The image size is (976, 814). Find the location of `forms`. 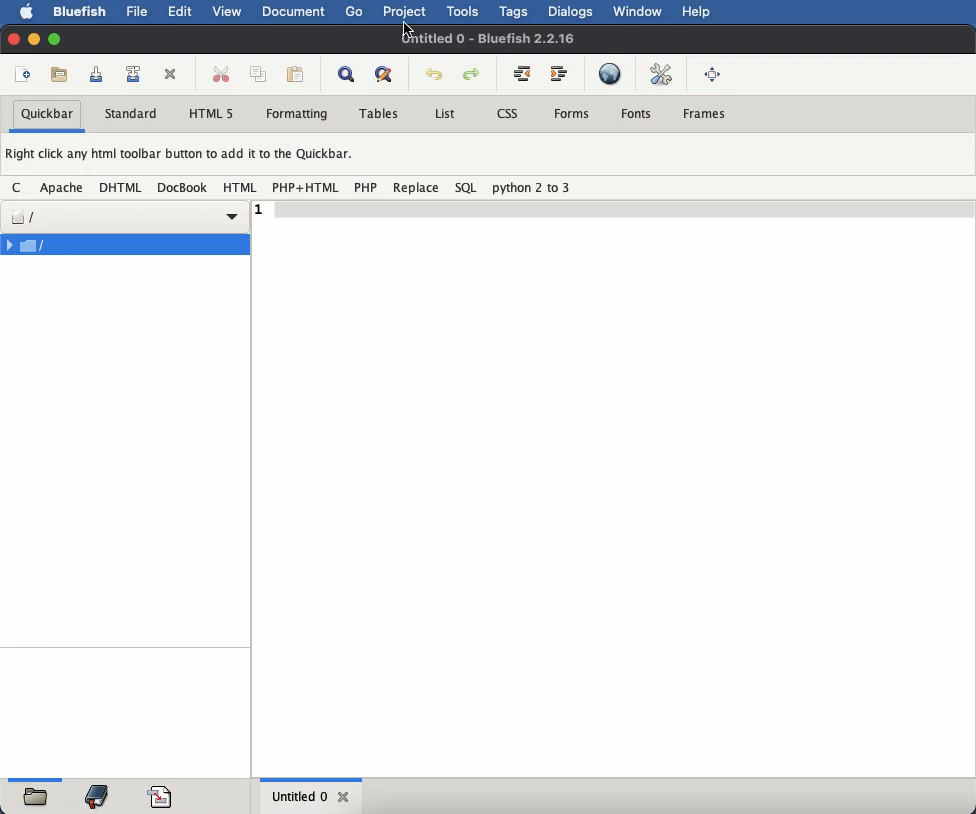

forms is located at coordinates (572, 114).